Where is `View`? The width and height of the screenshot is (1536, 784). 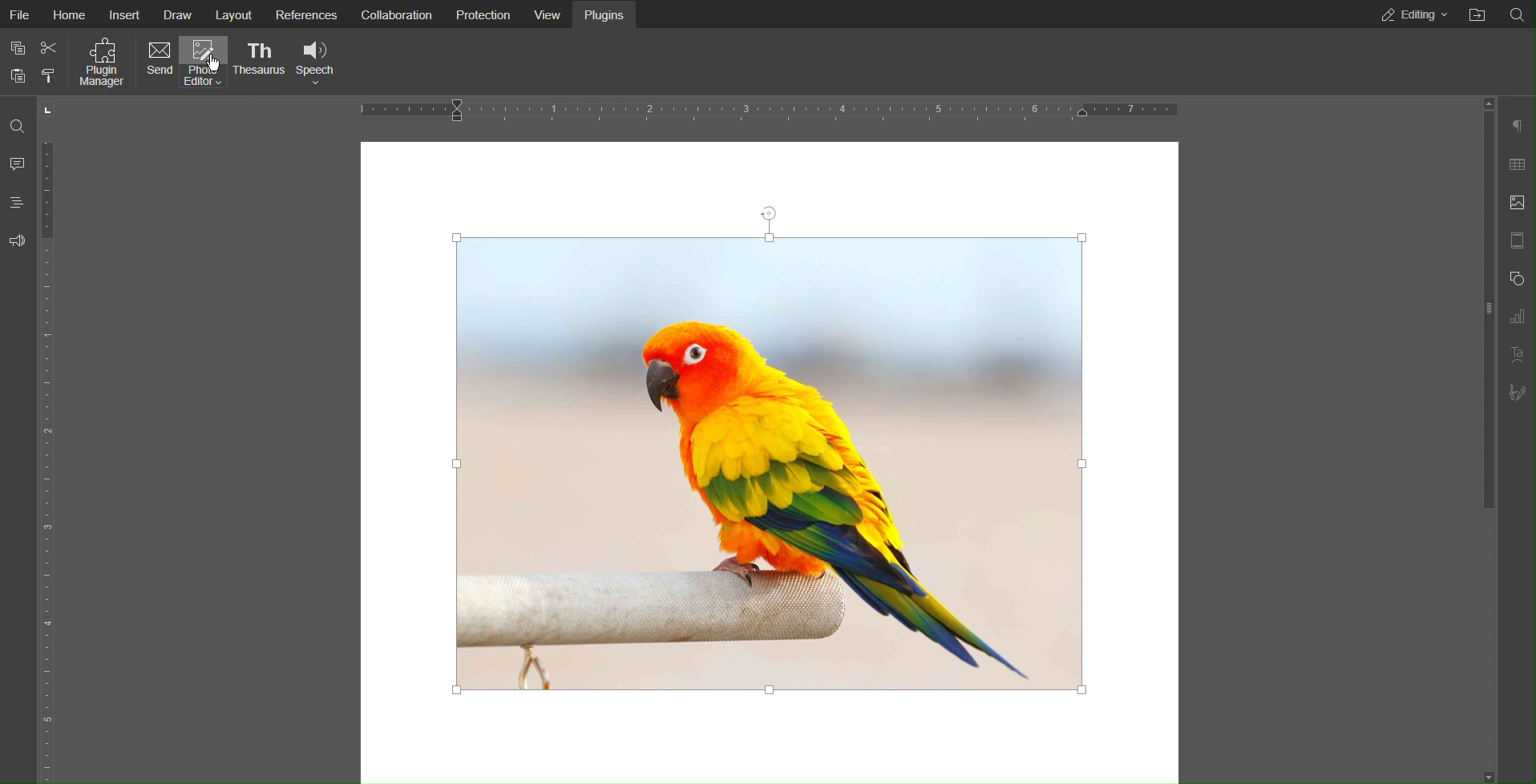
View is located at coordinates (546, 14).